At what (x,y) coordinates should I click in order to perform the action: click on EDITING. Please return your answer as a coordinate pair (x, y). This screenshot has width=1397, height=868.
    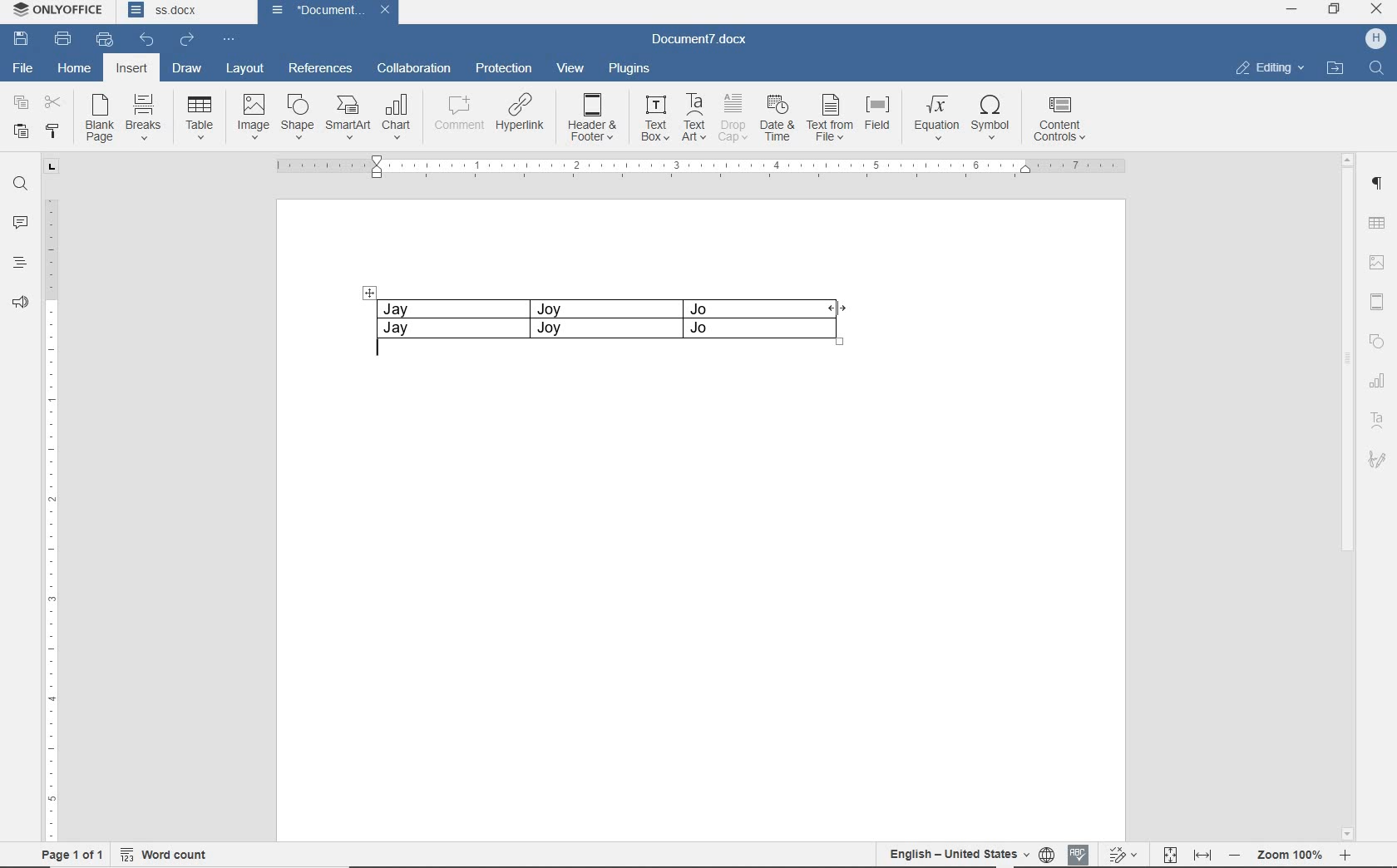
    Looking at the image, I should click on (1270, 70).